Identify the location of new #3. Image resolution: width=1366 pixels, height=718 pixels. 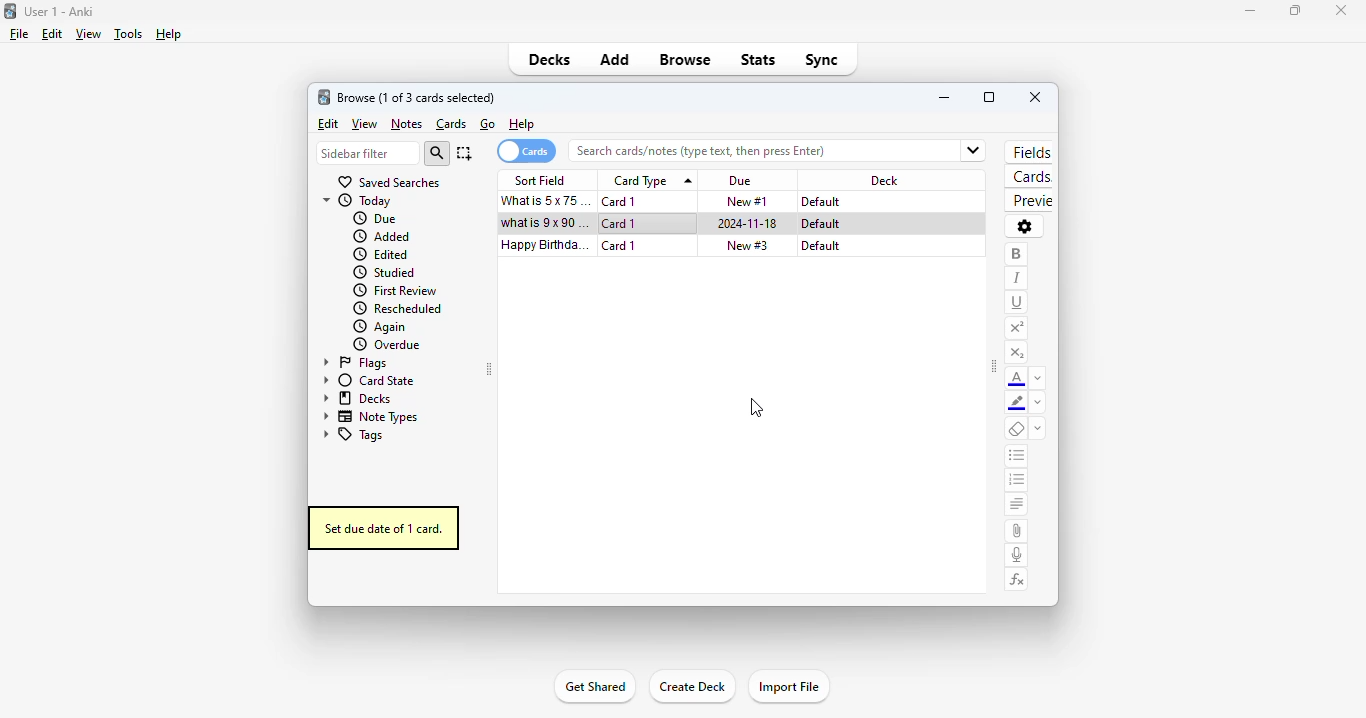
(748, 246).